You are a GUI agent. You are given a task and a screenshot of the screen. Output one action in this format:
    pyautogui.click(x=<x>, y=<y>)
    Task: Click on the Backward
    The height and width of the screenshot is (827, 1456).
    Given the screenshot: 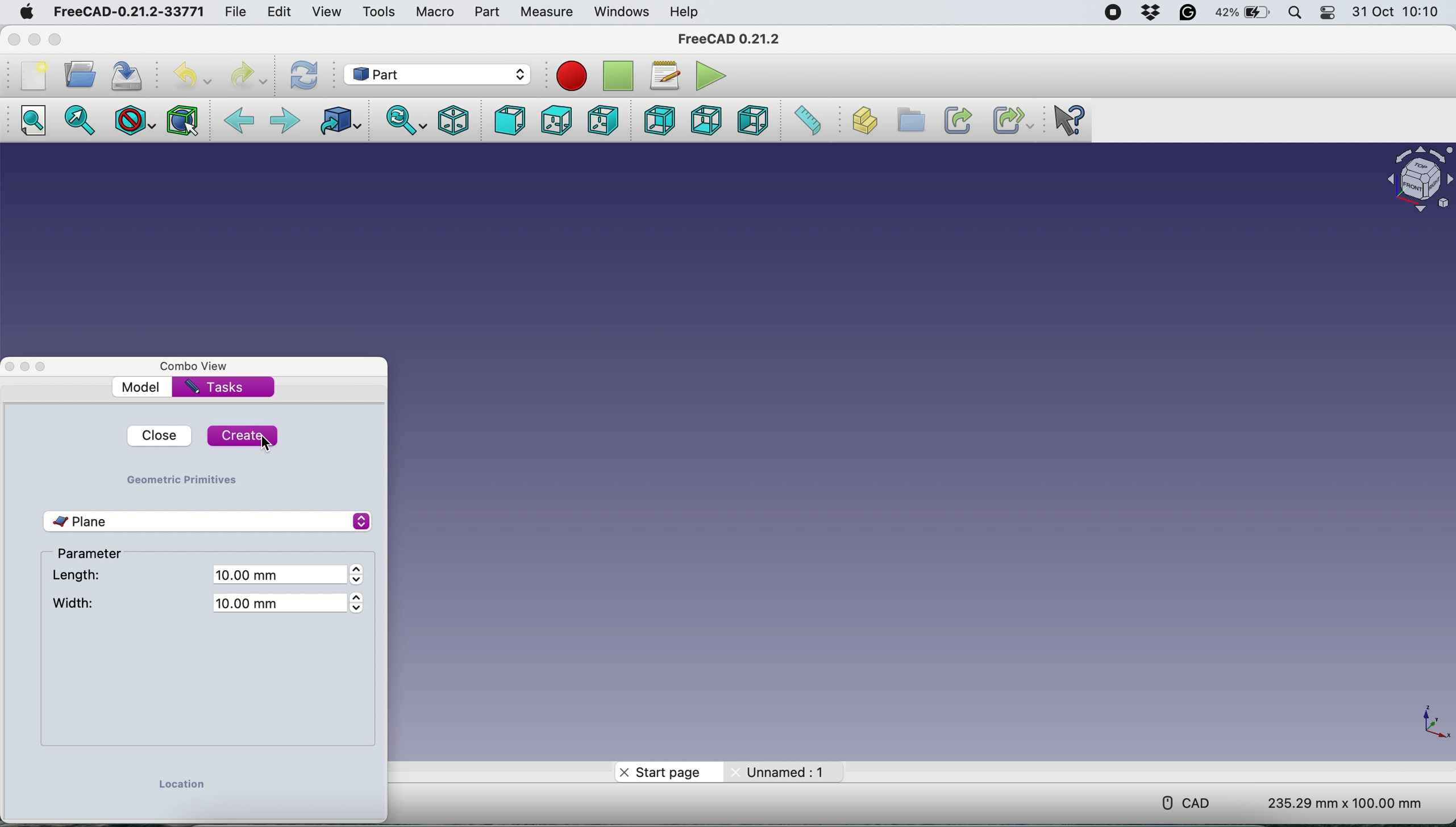 What is the action you would take?
    pyautogui.click(x=240, y=119)
    